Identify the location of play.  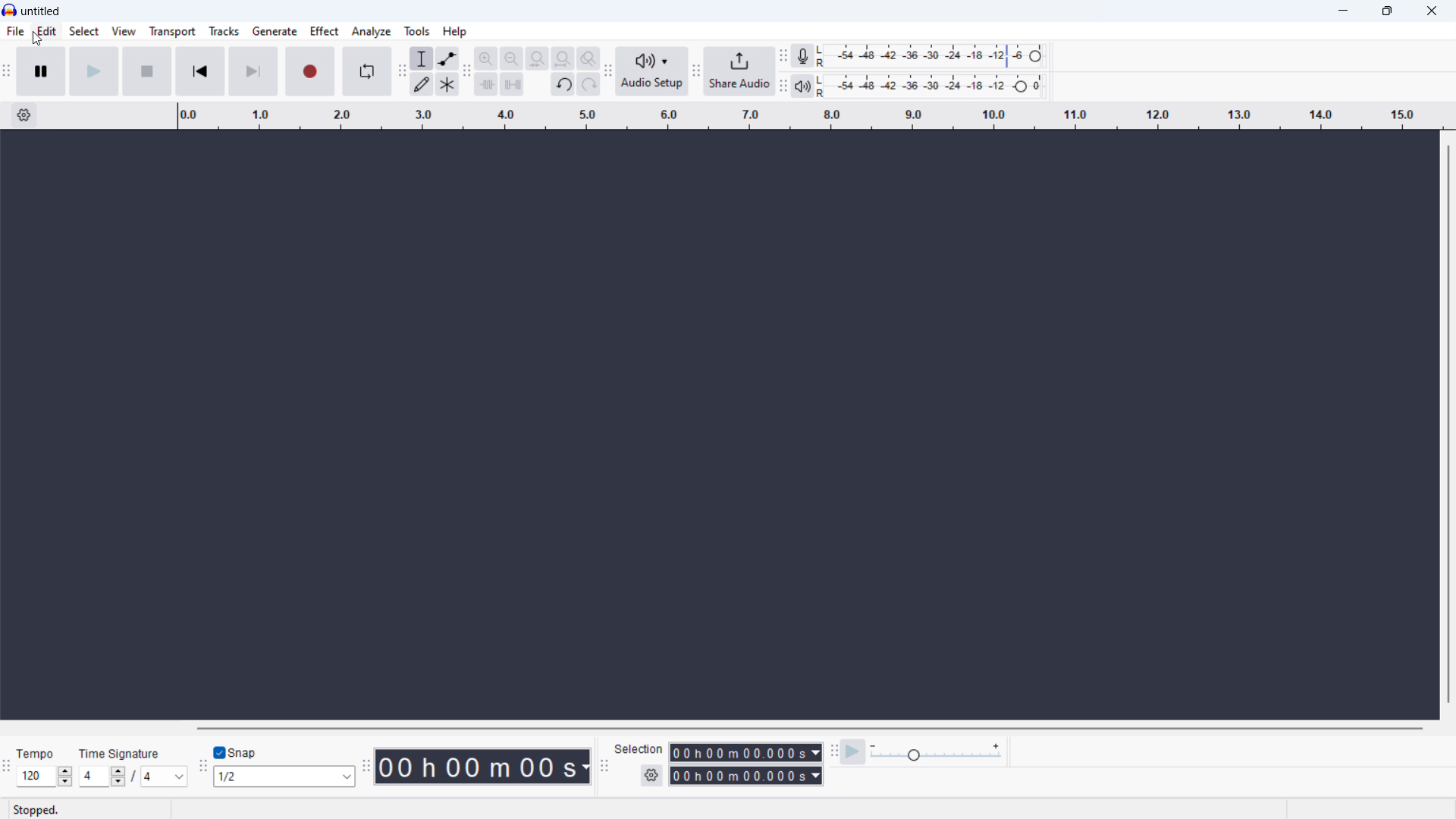
(94, 71).